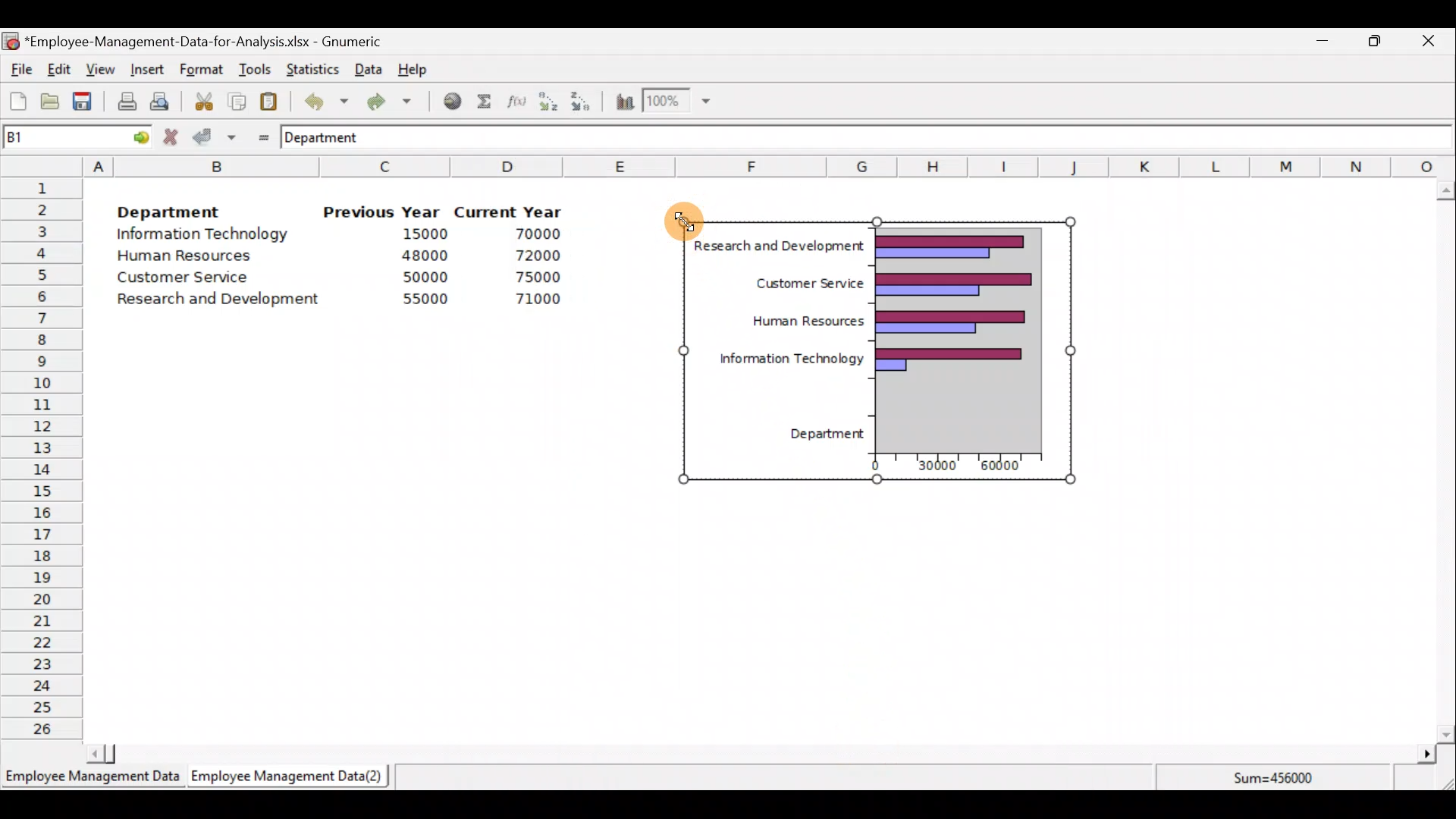 The height and width of the screenshot is (819, 1456). What do you see at coordinates (1282, 780) in the screenshot?
I see `Sum=456000` at bounding box center [1282, 780].